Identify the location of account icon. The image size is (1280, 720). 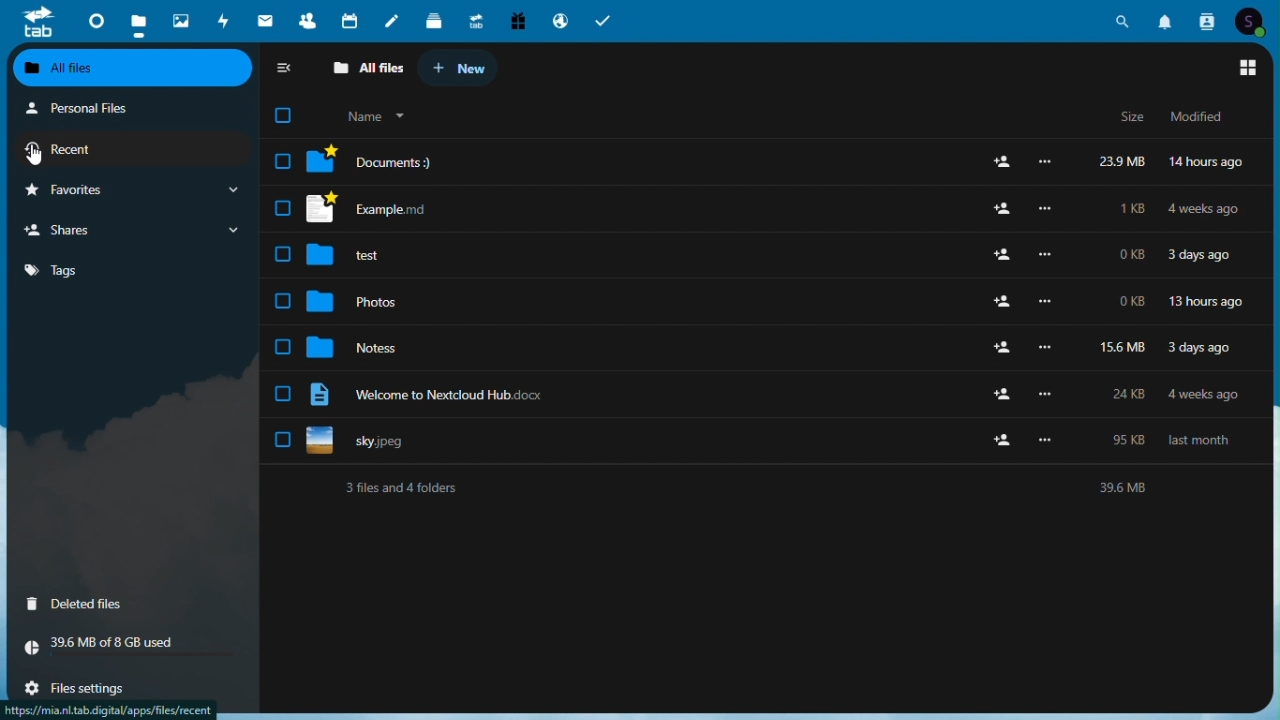
(1254, 22).